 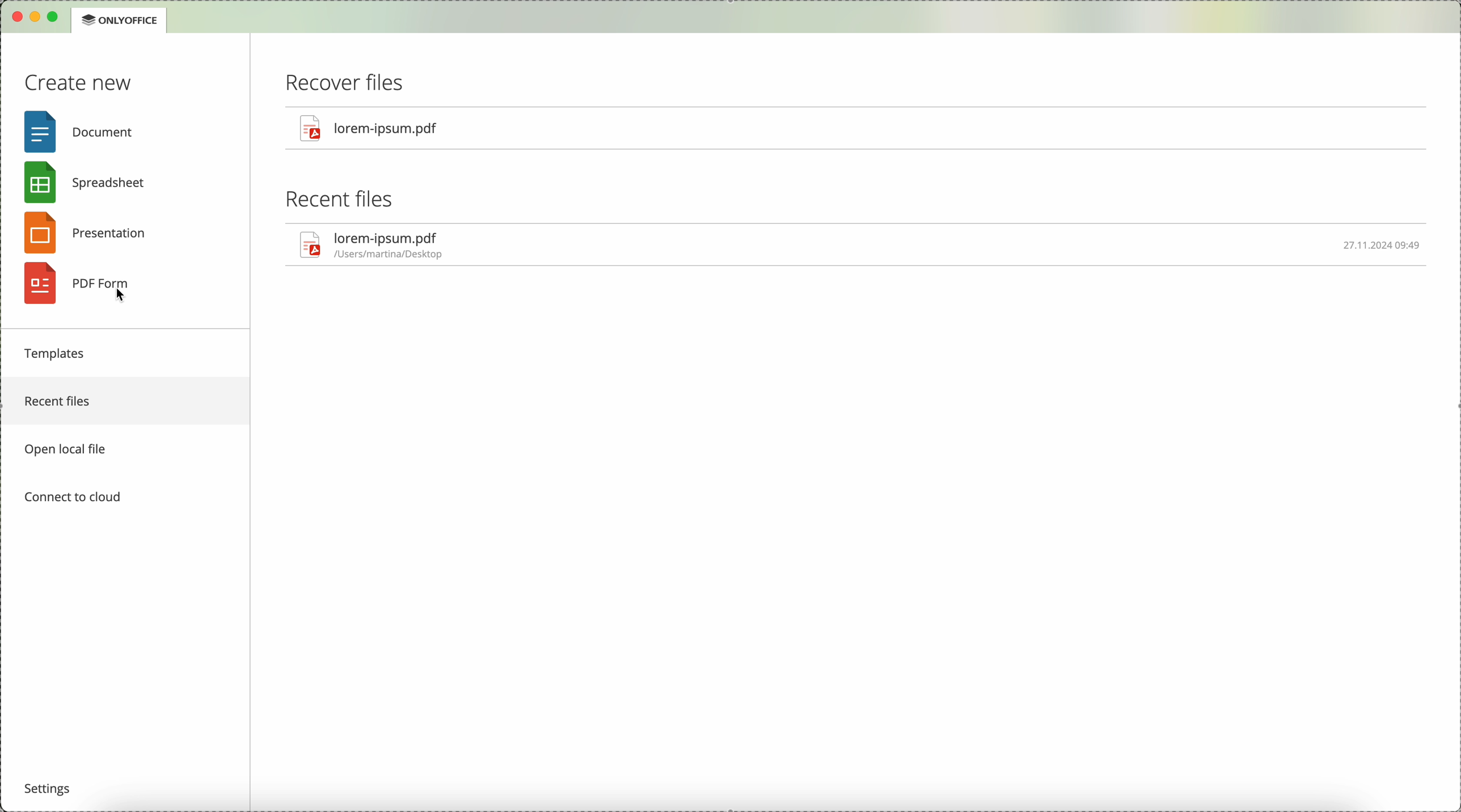 What do you see at coordinates (83, 284) in the screenshot?
I see `click on PDF form` at bounding box center [83, 284].